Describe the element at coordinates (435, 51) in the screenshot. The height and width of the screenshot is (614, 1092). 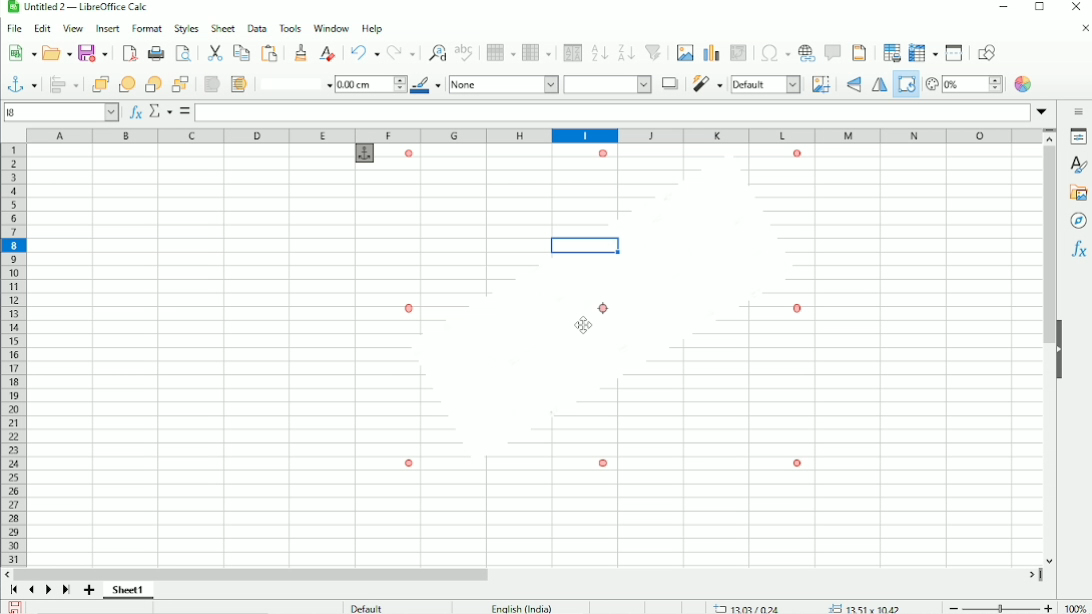
I see `Find and rest` at that location.